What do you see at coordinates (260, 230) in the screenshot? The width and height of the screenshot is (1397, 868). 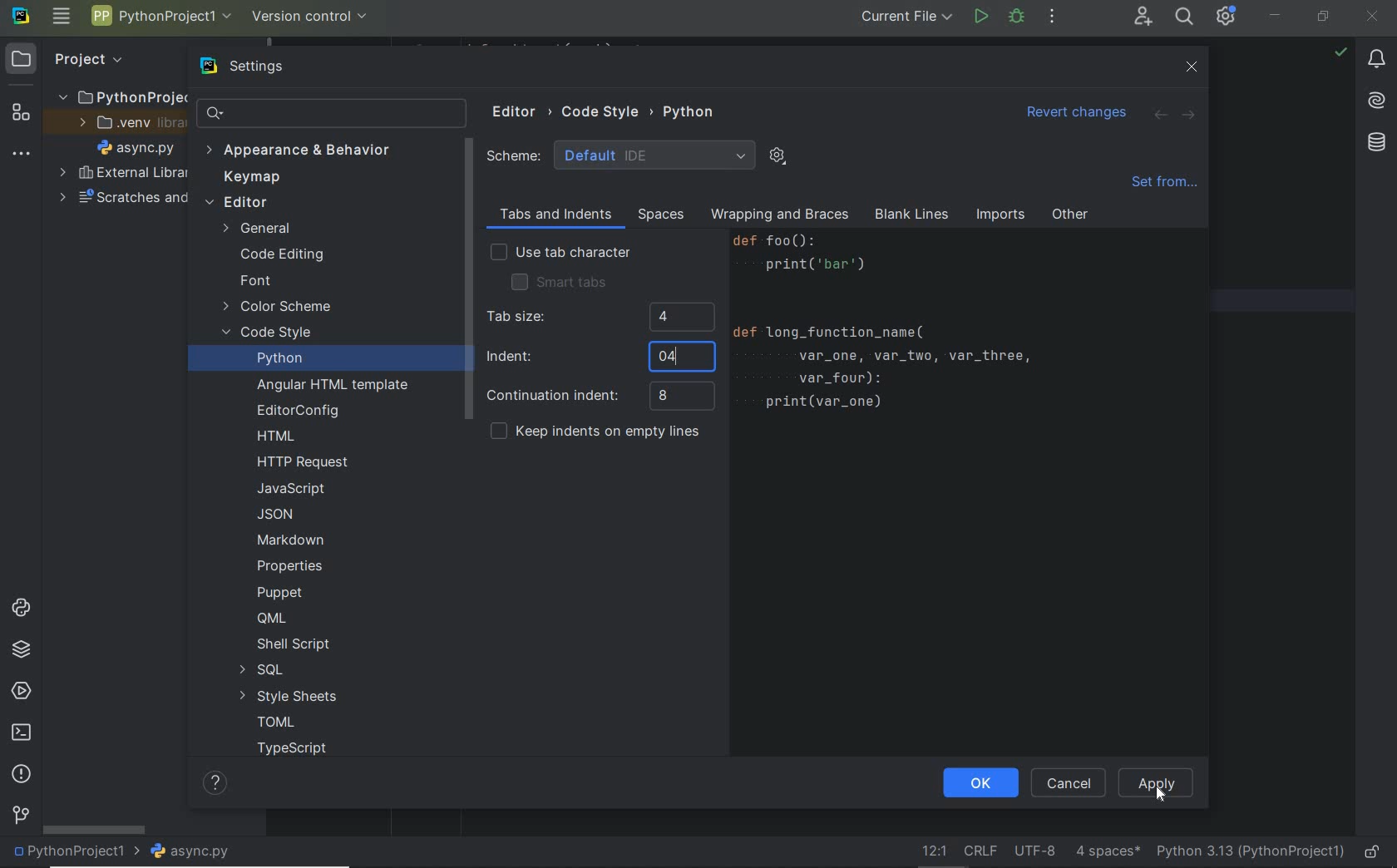 I see `General` at bounding box center [260, 230].